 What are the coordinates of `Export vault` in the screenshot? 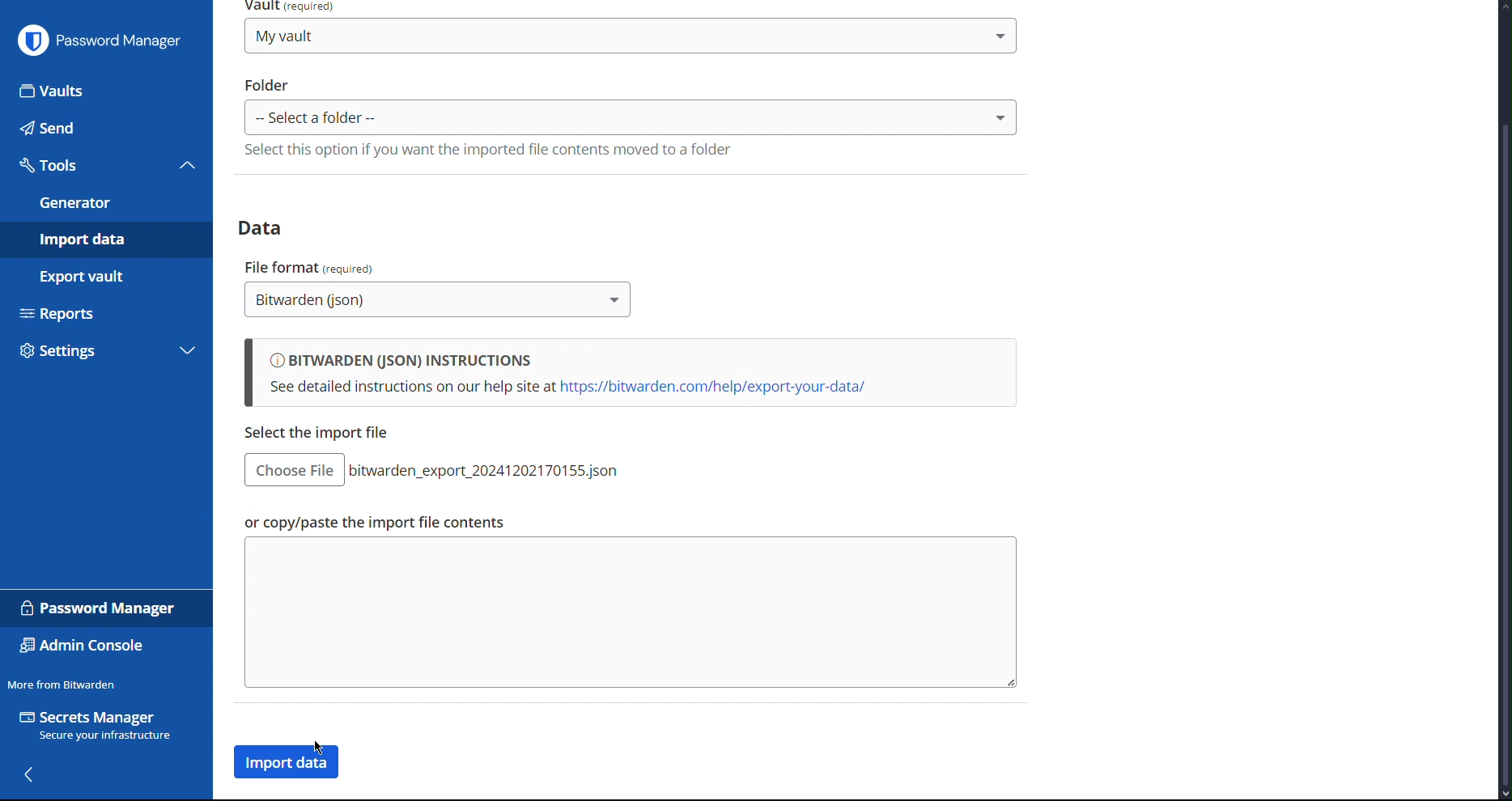 It's located at (100, 276).